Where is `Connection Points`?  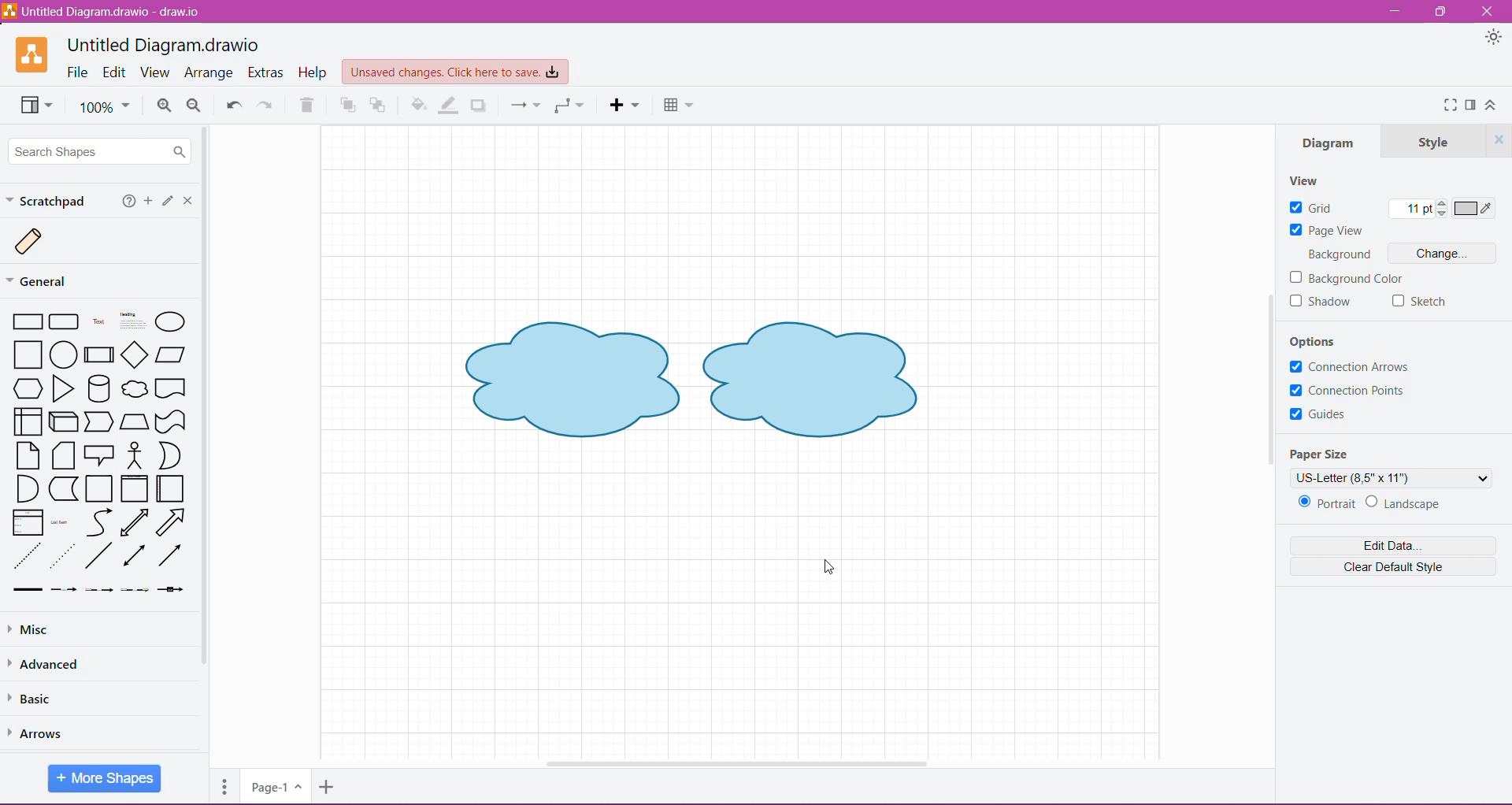 Connection Points is located at coordinates (1351, 391).